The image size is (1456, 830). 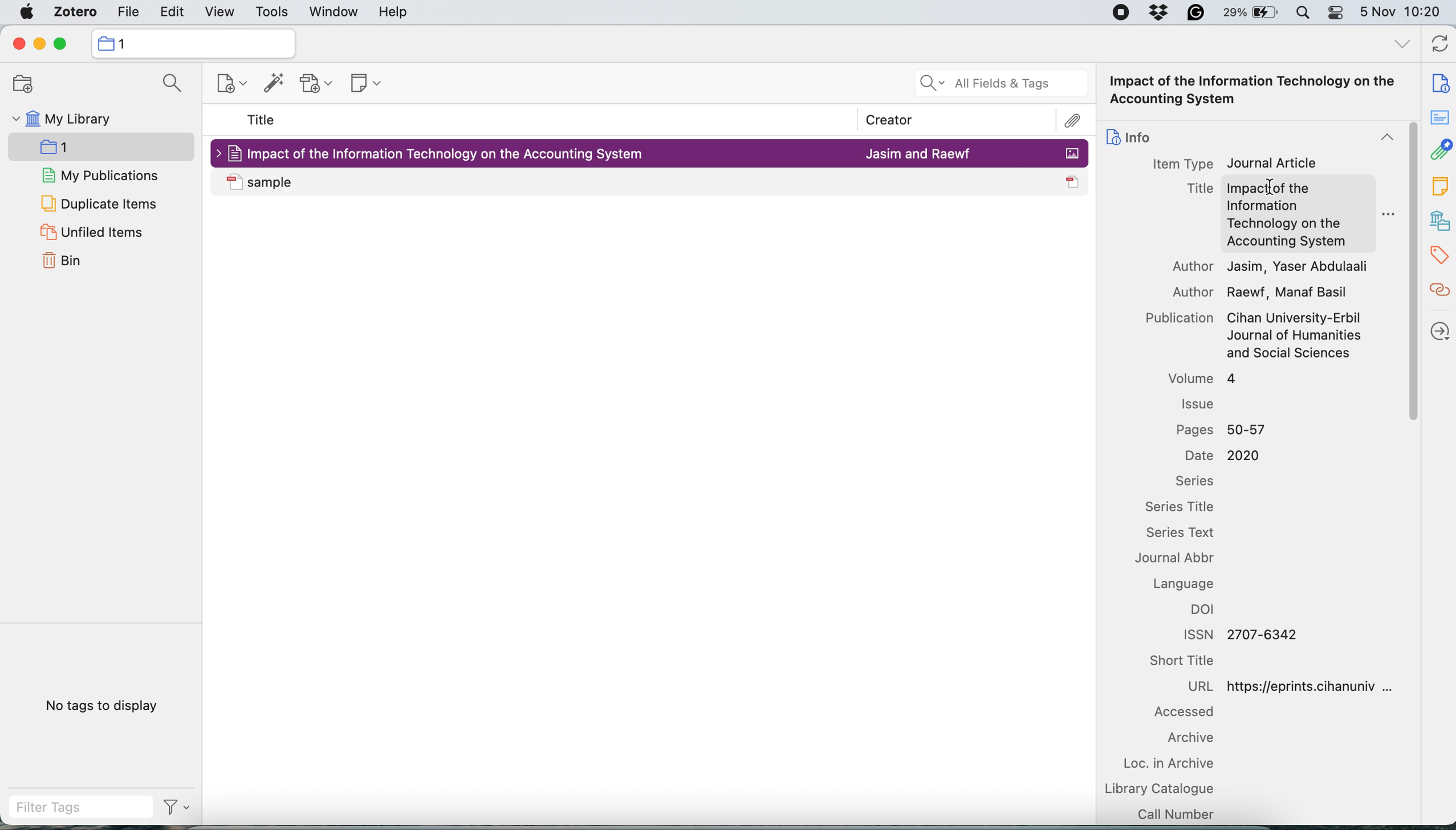 What do you see at coordinates (1439, 150) in the screenshot?
I see `attachment` at bounding box center [1439, 150].